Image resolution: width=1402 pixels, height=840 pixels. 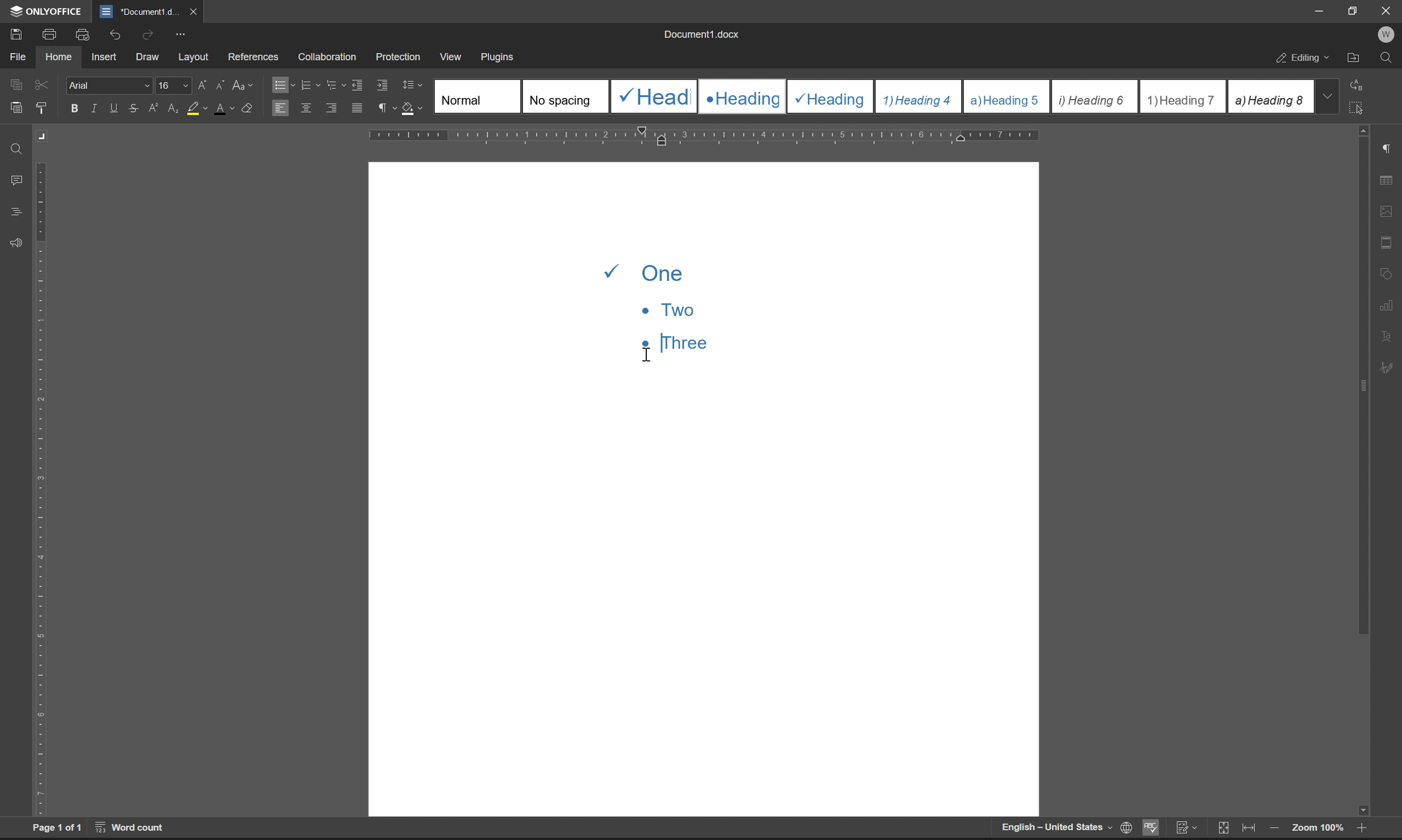 I want to click on Heading 6, so click(x=1094, y=97).